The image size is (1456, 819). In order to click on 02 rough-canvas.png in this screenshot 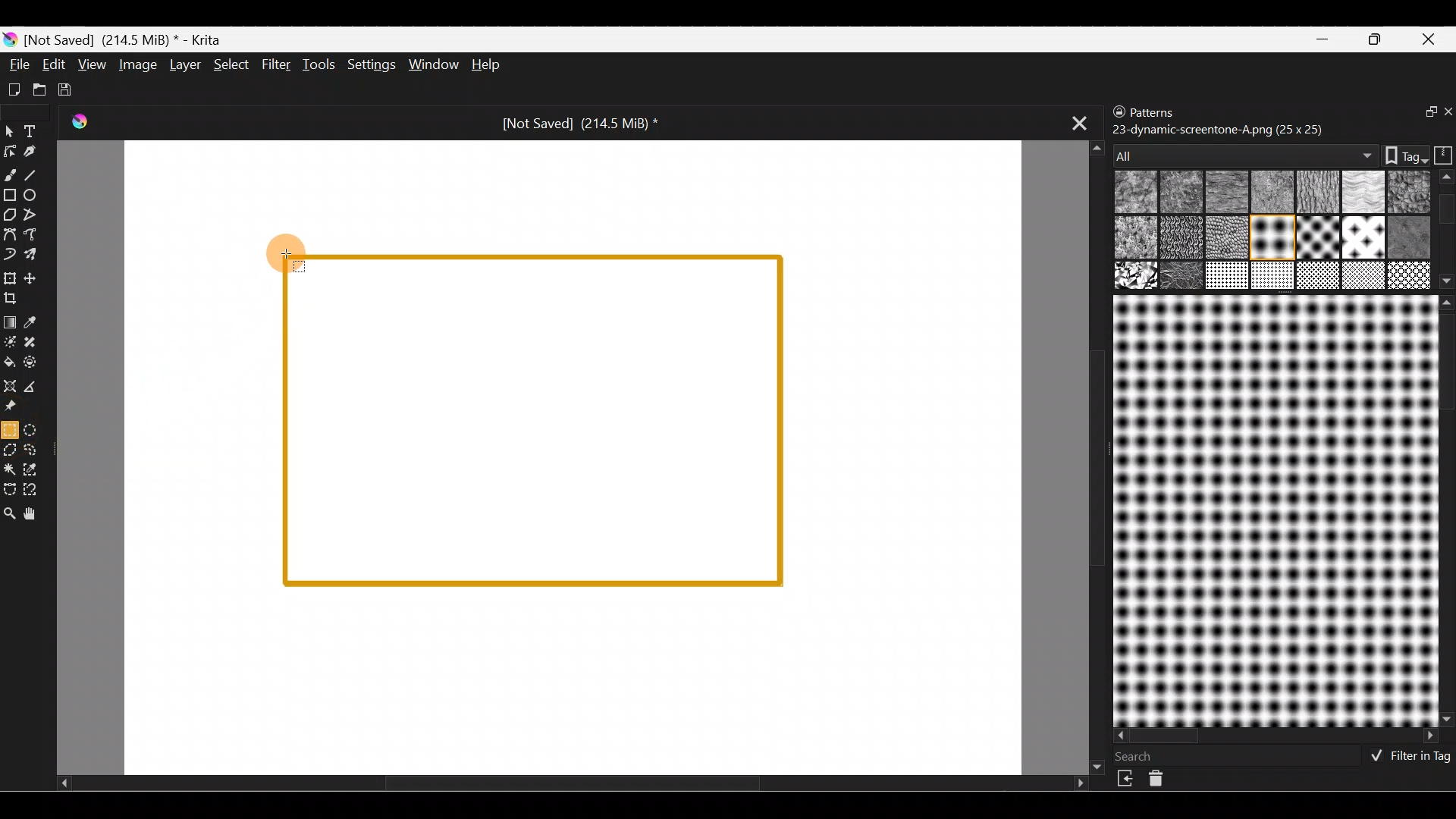, I will do `click(1179, 192)`.